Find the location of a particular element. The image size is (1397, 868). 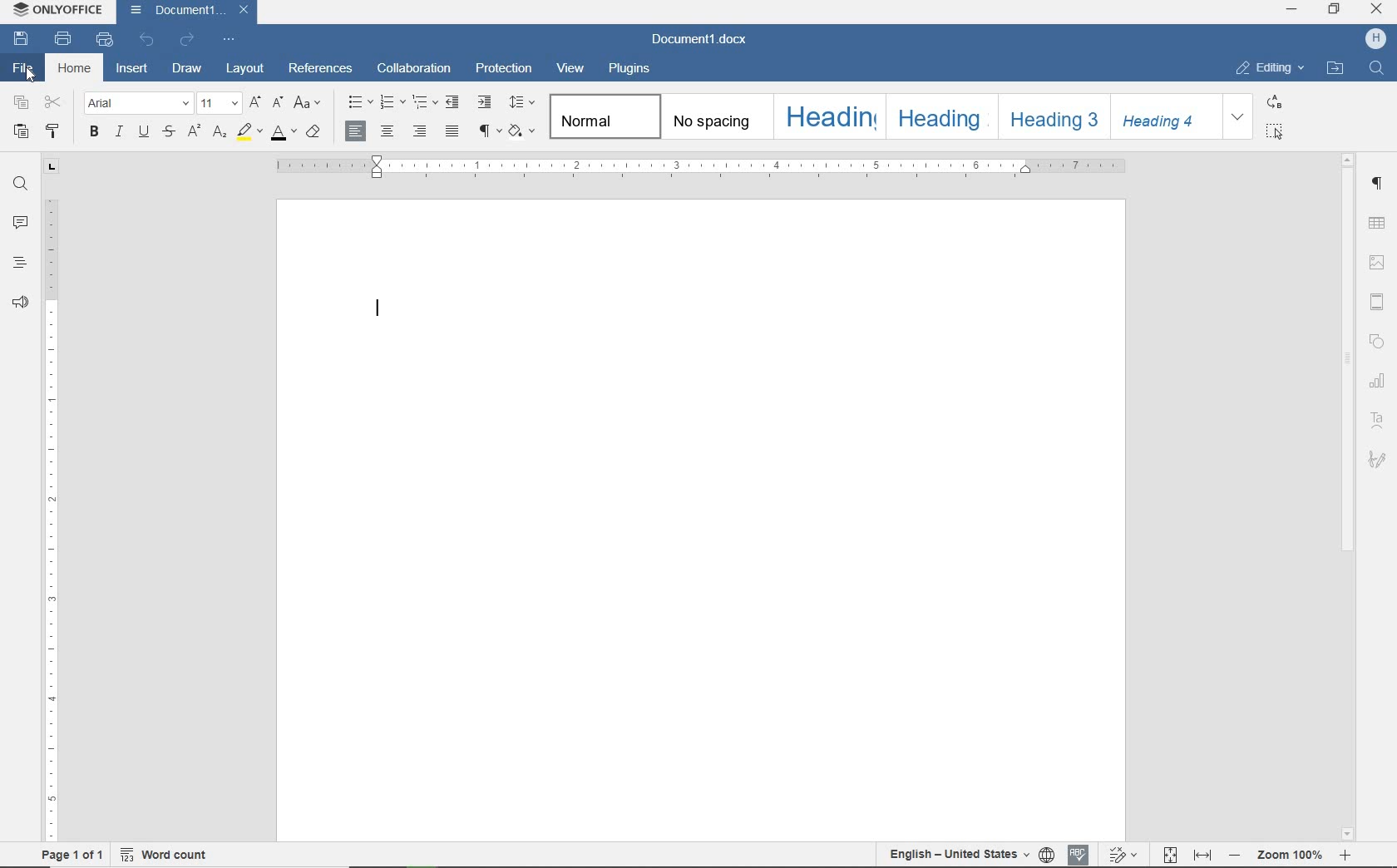

system name is located at coordinates (56, 9).